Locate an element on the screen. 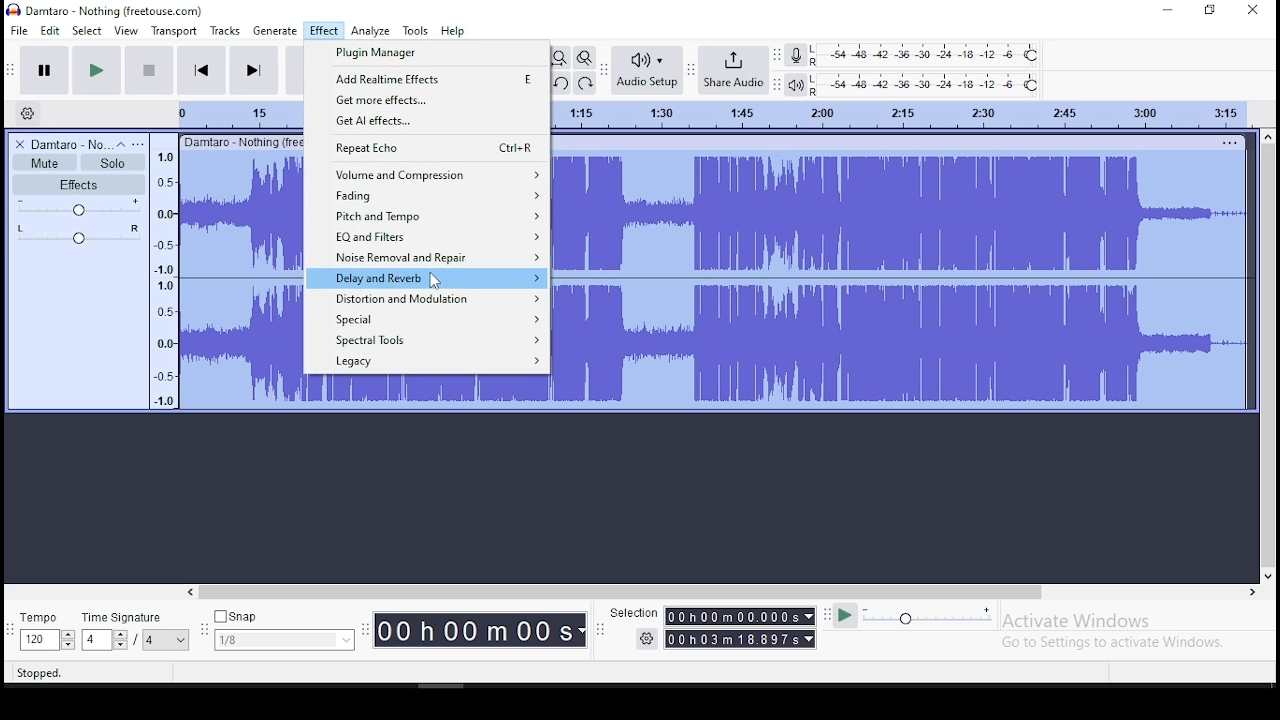 This screenshot has height=720, width=1280. audio setup is located at coordinates (647, 69).